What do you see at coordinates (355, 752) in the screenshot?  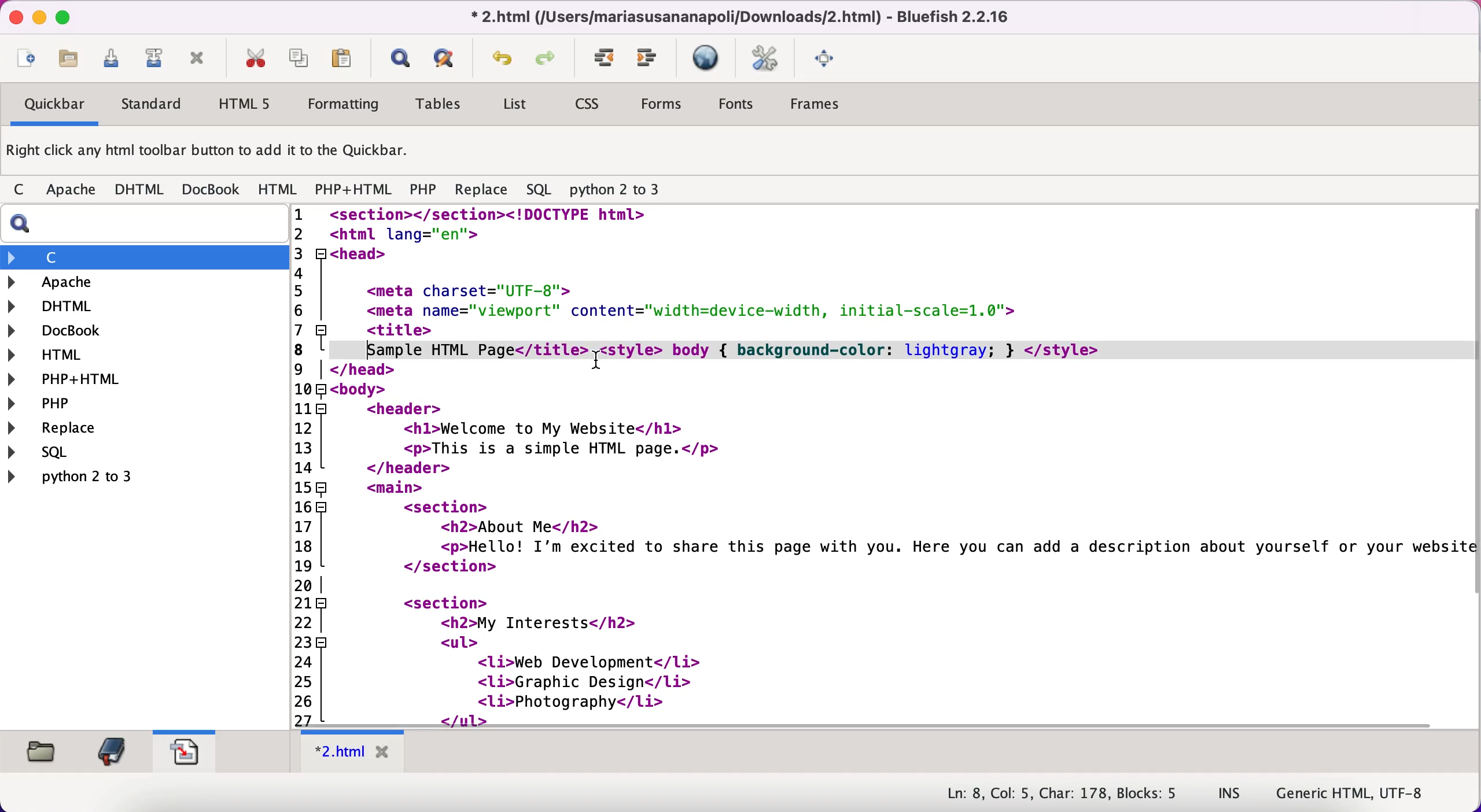 I see `* 2.html` at bounding box center [355, 752].